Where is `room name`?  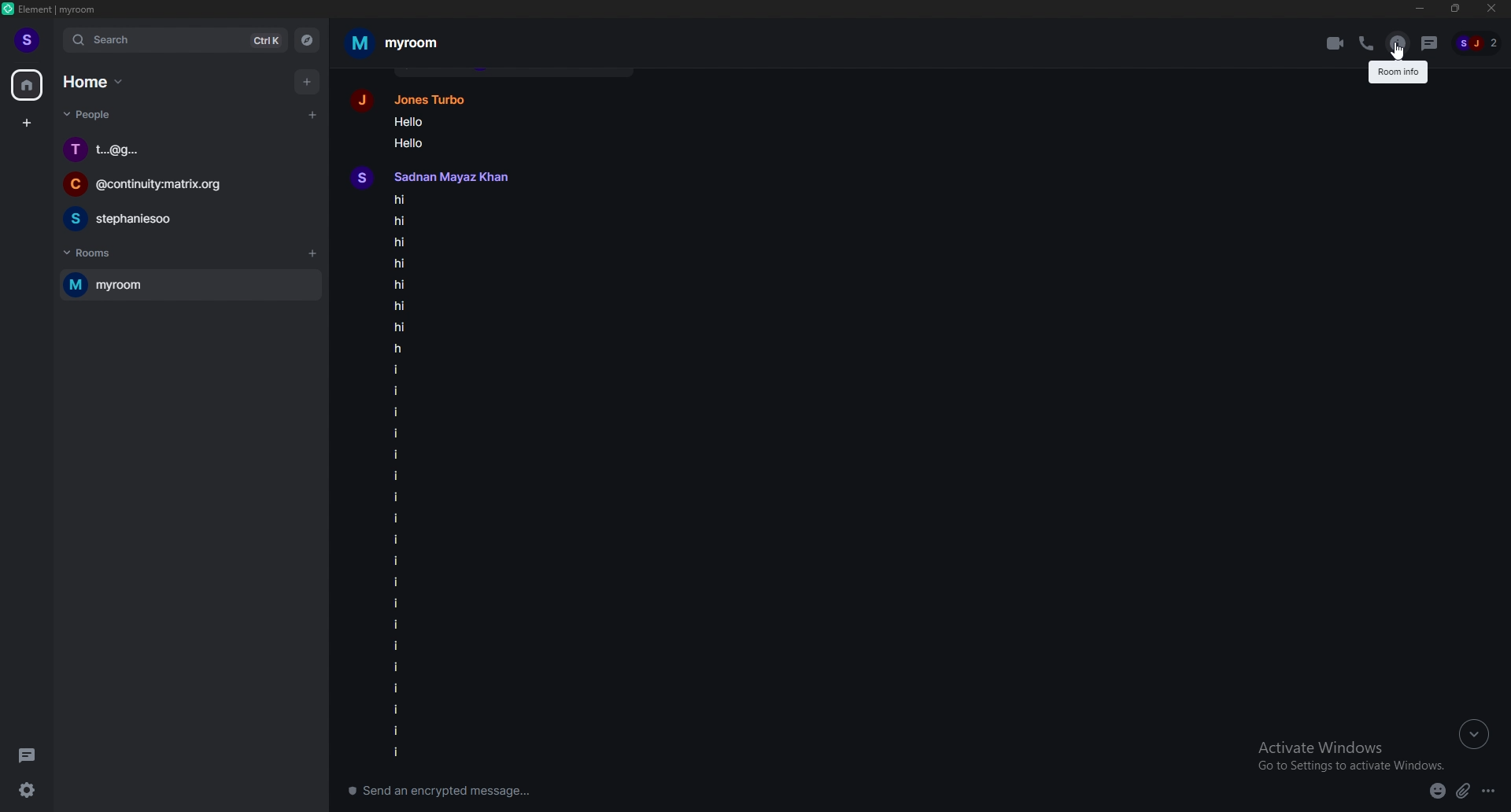
room name is located at coordinates (397, 42).